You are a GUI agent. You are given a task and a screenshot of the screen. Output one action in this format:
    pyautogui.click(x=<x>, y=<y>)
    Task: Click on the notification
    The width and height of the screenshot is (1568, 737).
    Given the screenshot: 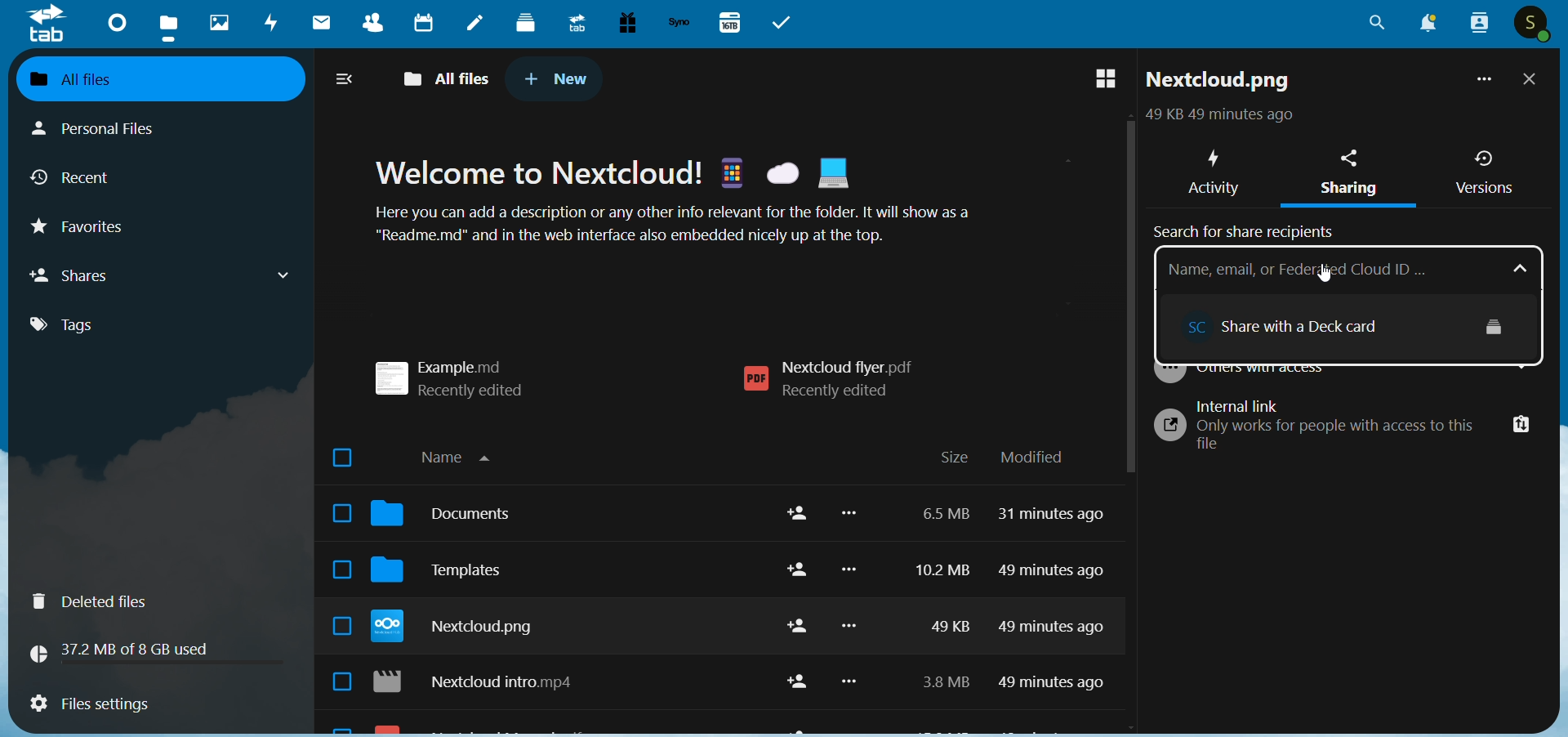 What is the action you would take?
    pyautogui.click(x=1424, y=25)
    